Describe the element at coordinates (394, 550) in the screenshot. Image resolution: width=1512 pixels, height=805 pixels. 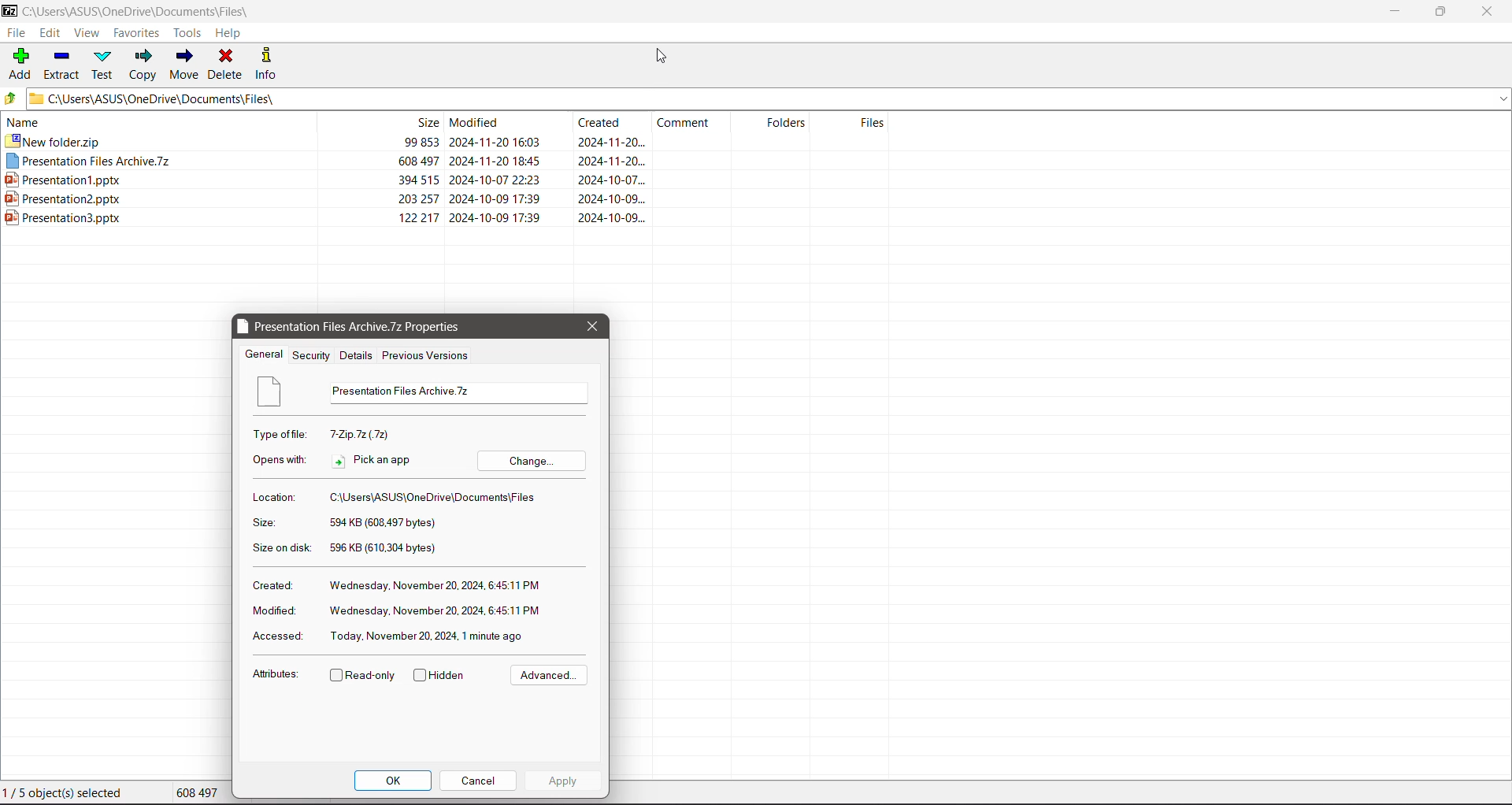
I see `File size on disk` at that location.